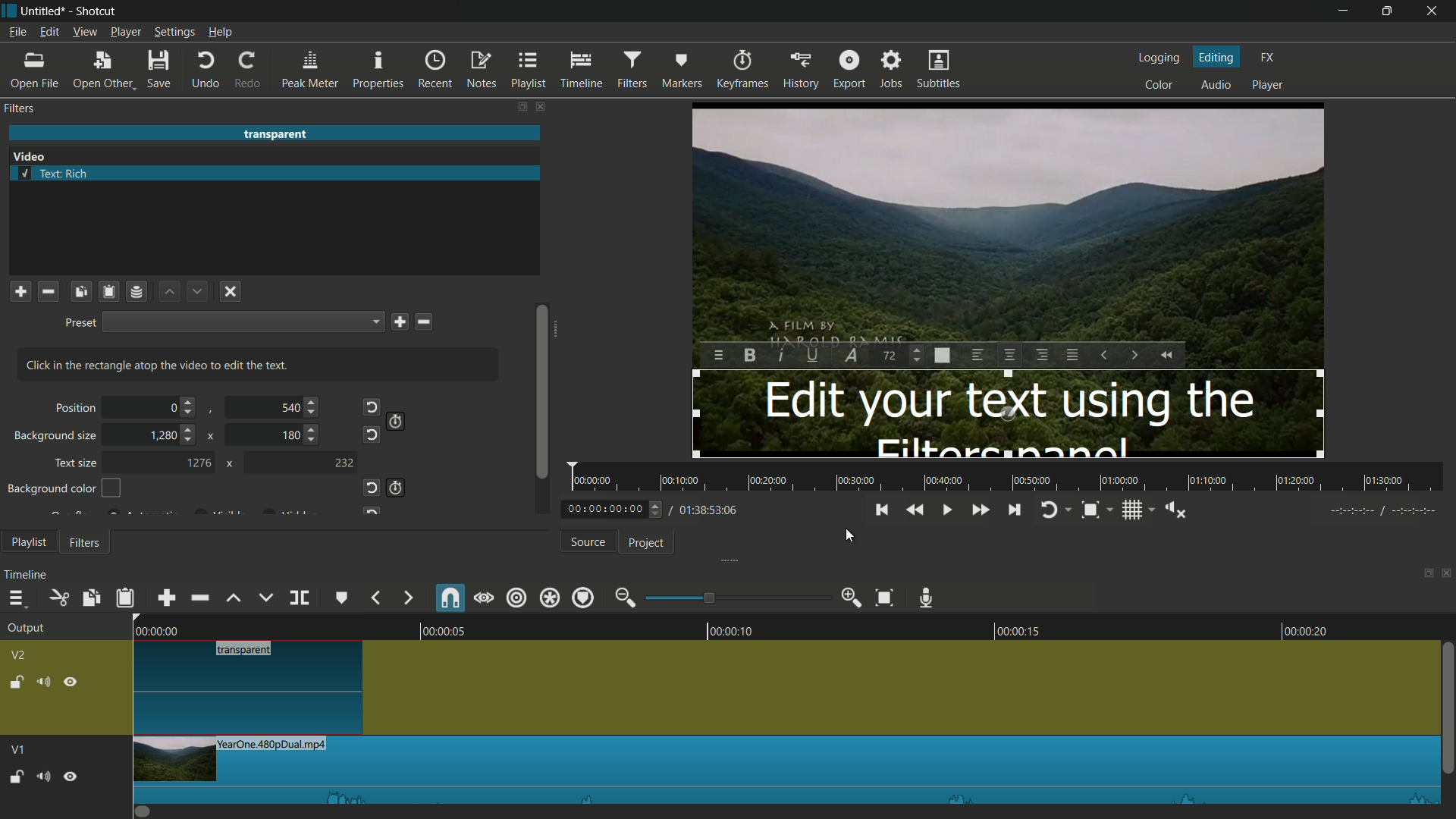  I want to click on align left, so click(976, 356).